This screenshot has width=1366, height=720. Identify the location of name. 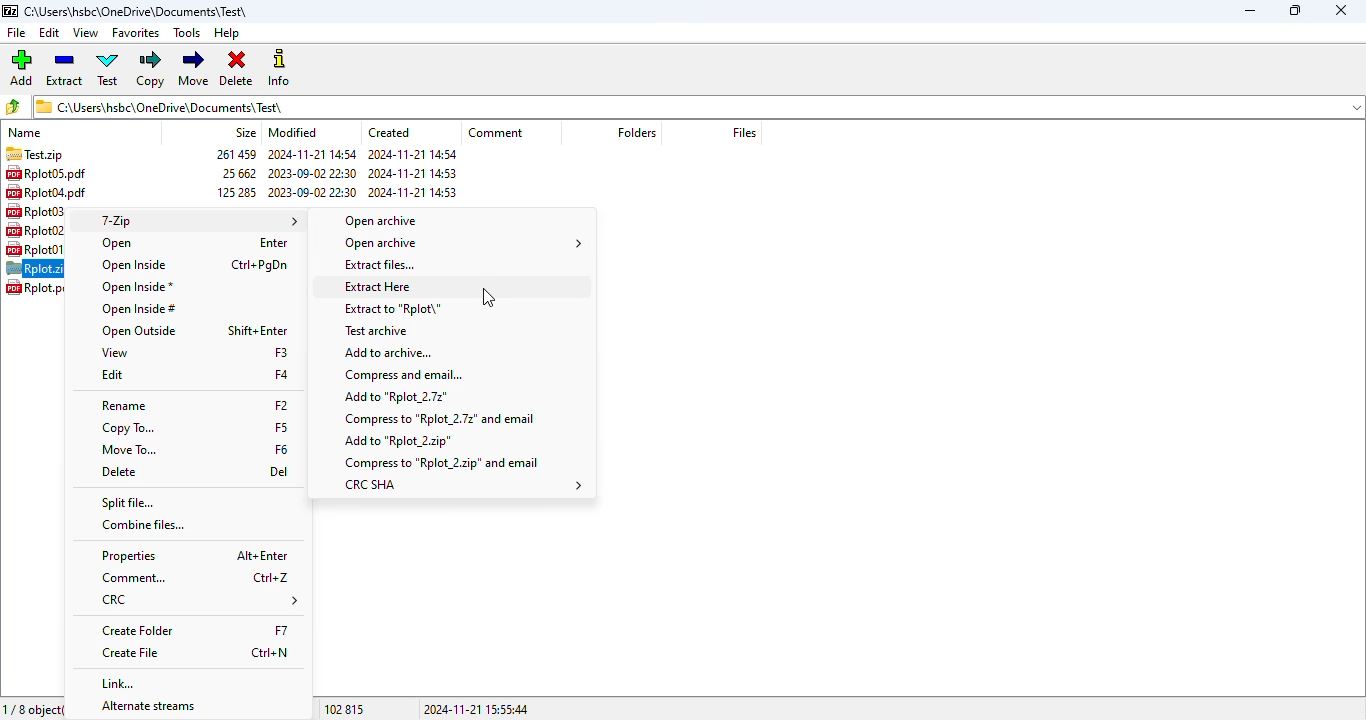
(27, 132).